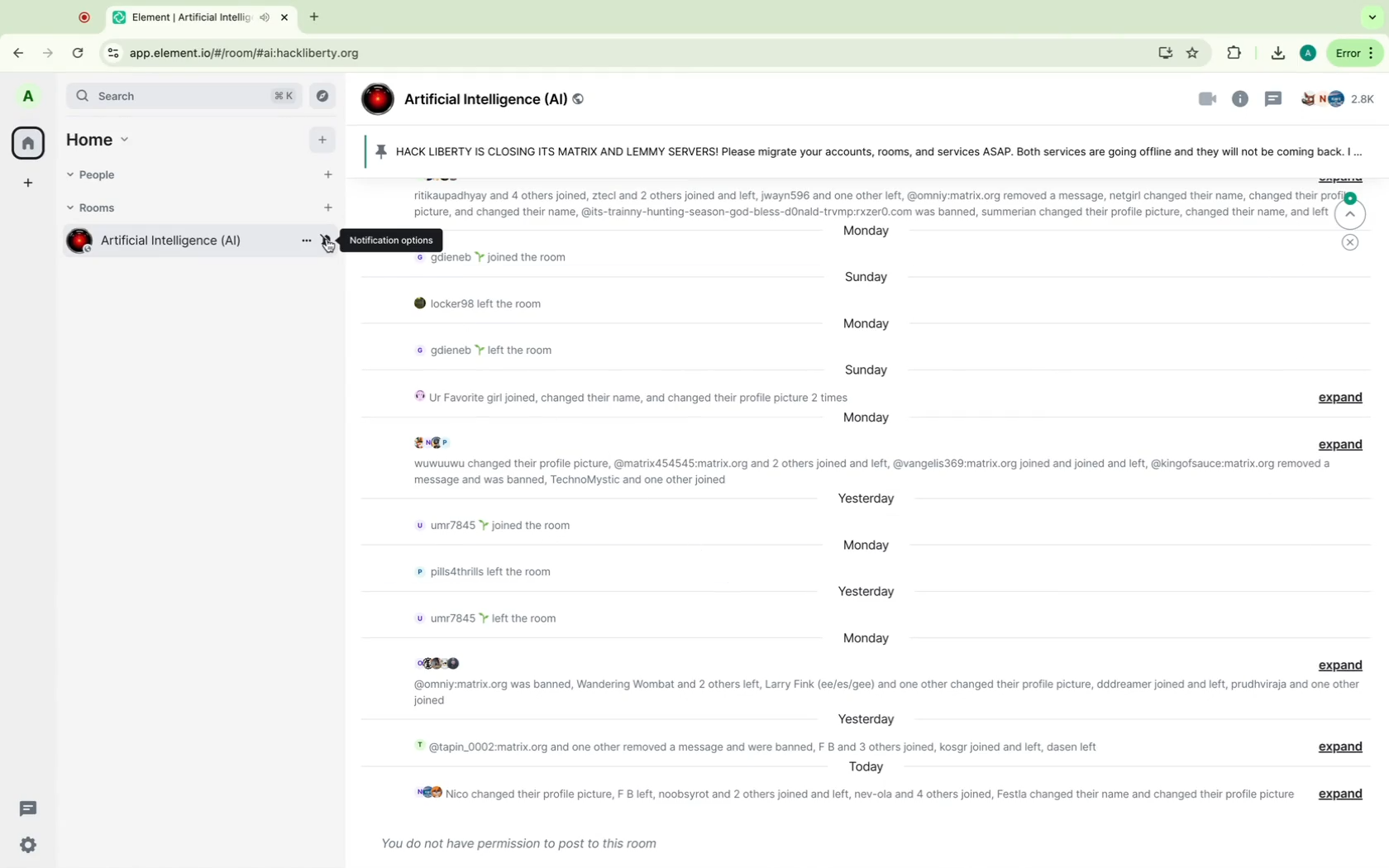 Image resolution: width=1389 pixels, height=868 pixels. What do you see at coordinates (103, 137) in the screenshot?
I see `home` at bounding box center [103, 137].